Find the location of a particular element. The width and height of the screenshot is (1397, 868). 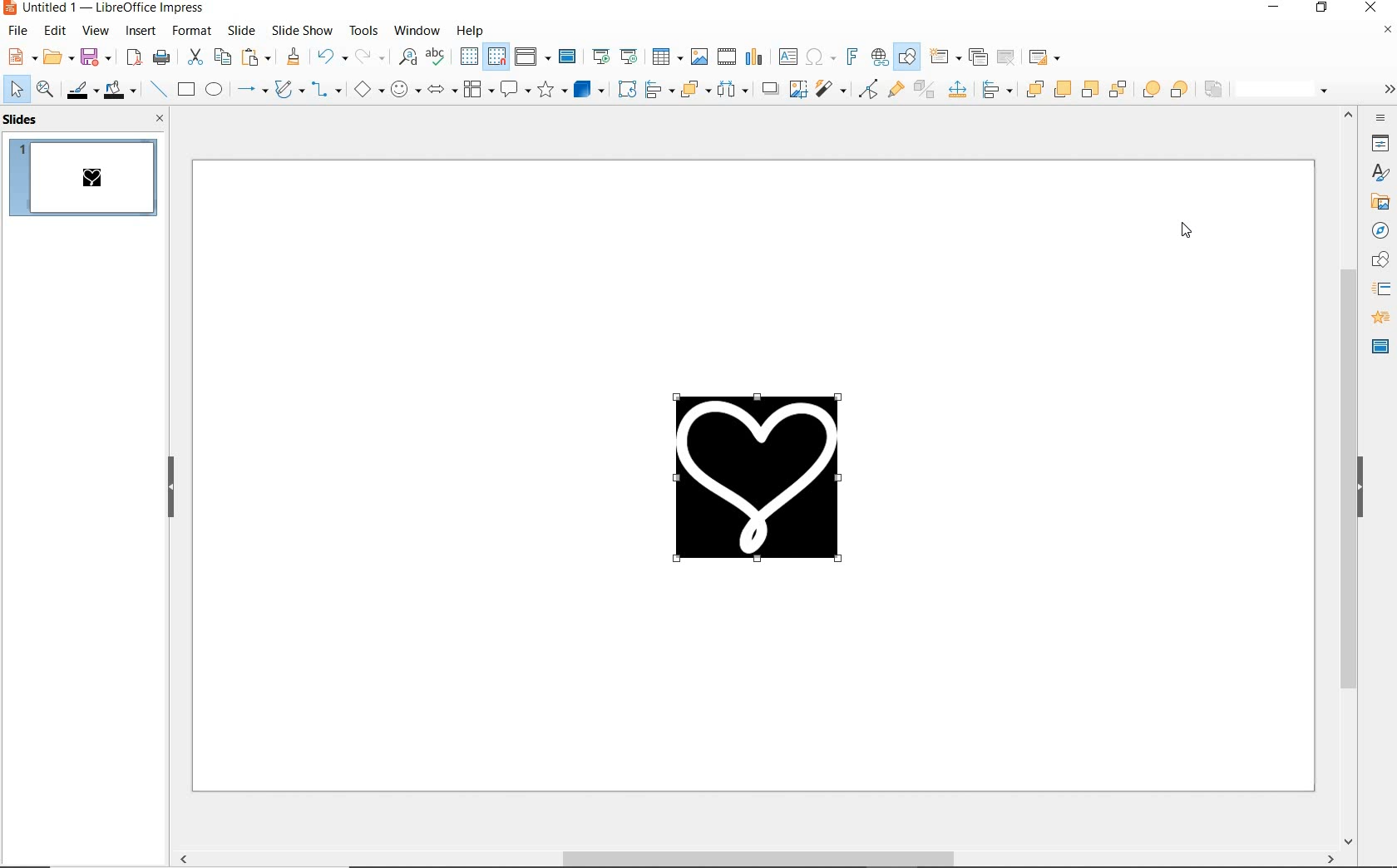

reverse is located at coordinates (1214, 89).